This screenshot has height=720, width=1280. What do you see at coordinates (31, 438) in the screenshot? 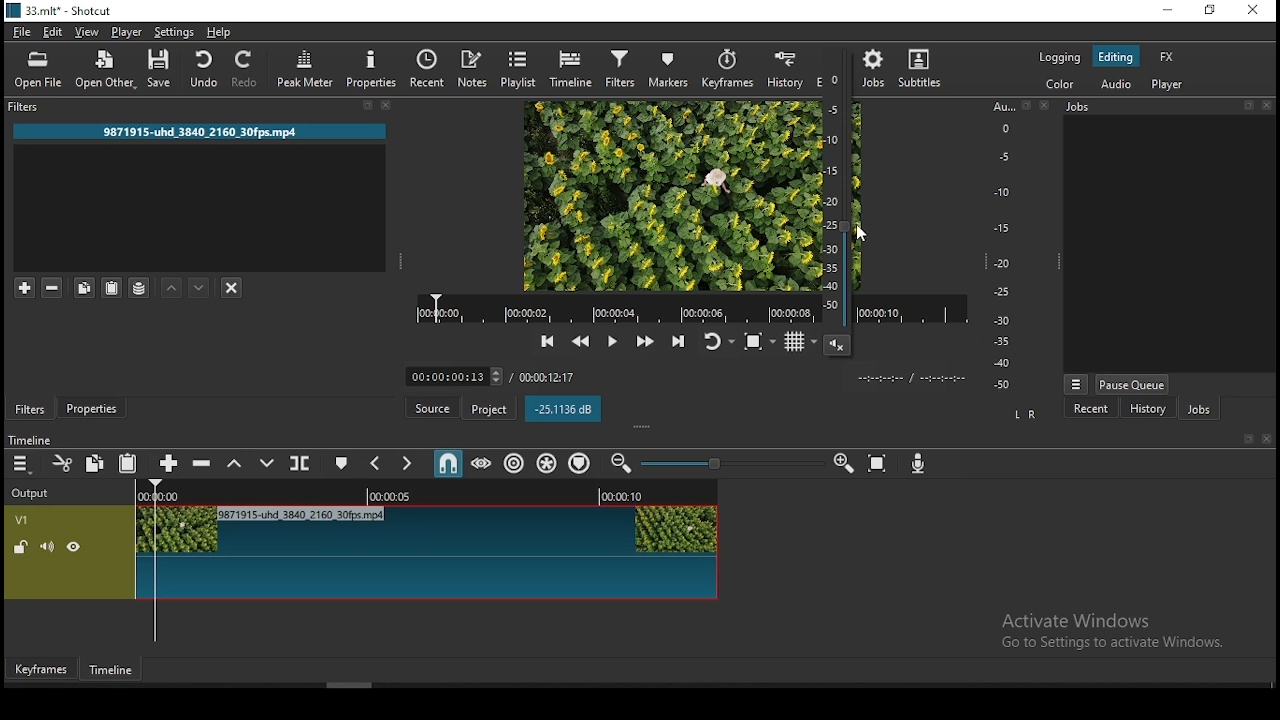
I see `time line` at bounding box center [31, 438].